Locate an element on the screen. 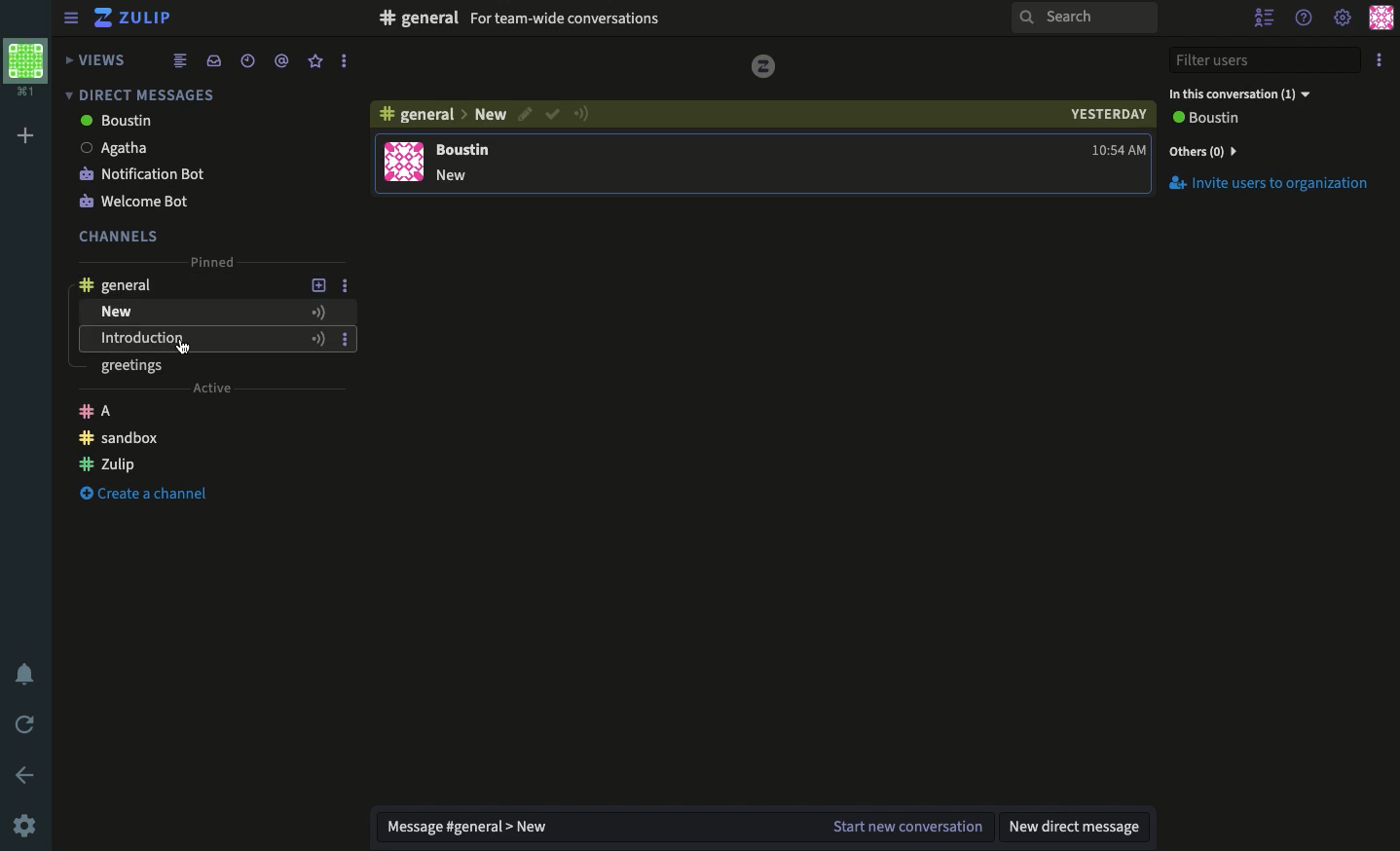 Image resolution: width=1400 pixels, height=851 pixels. Add a topic is located at coordinates (318, 285).